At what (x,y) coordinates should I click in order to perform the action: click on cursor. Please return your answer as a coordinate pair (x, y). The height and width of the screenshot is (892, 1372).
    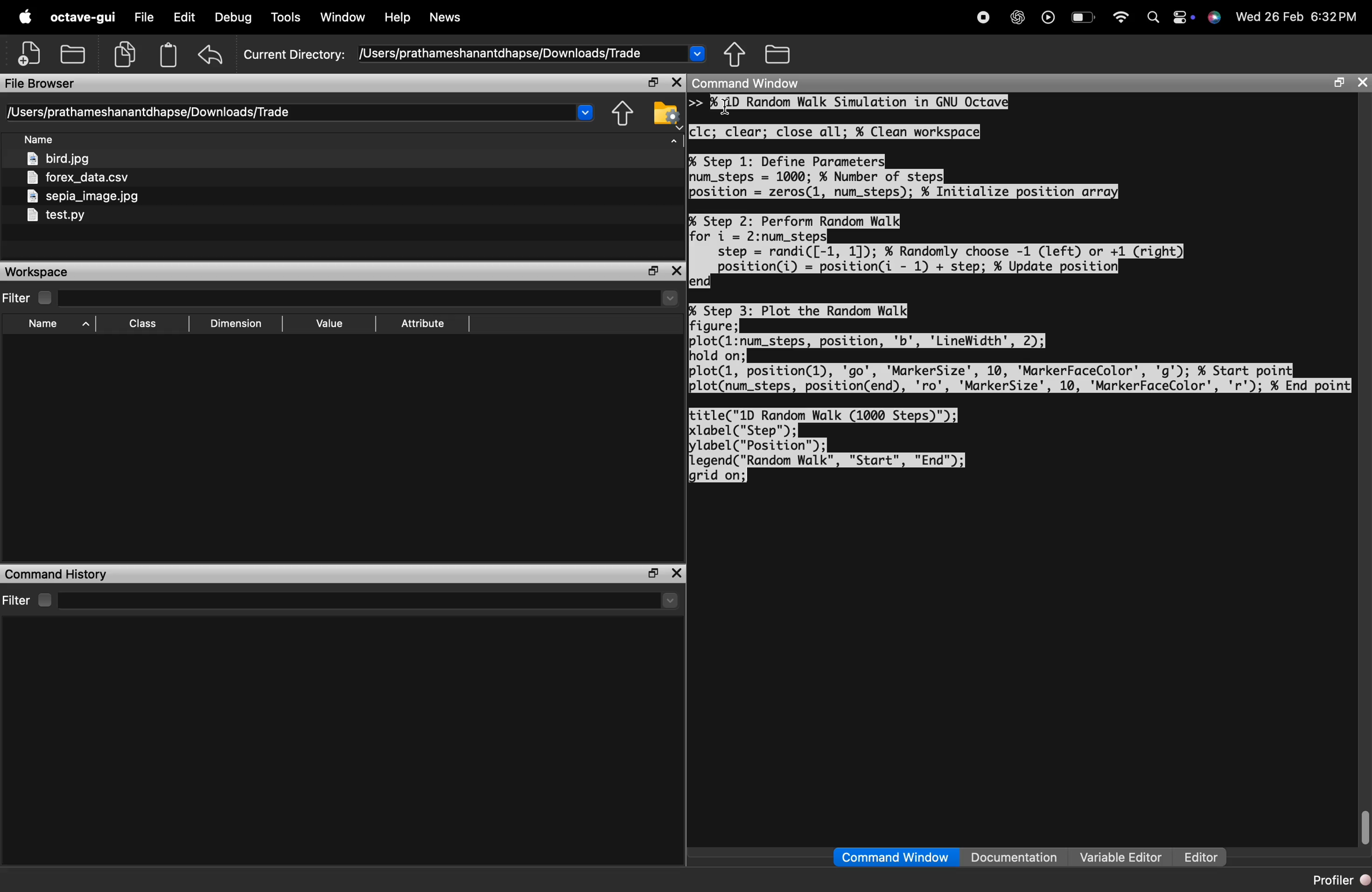
    Looking at the image, I should click on (729, 107).